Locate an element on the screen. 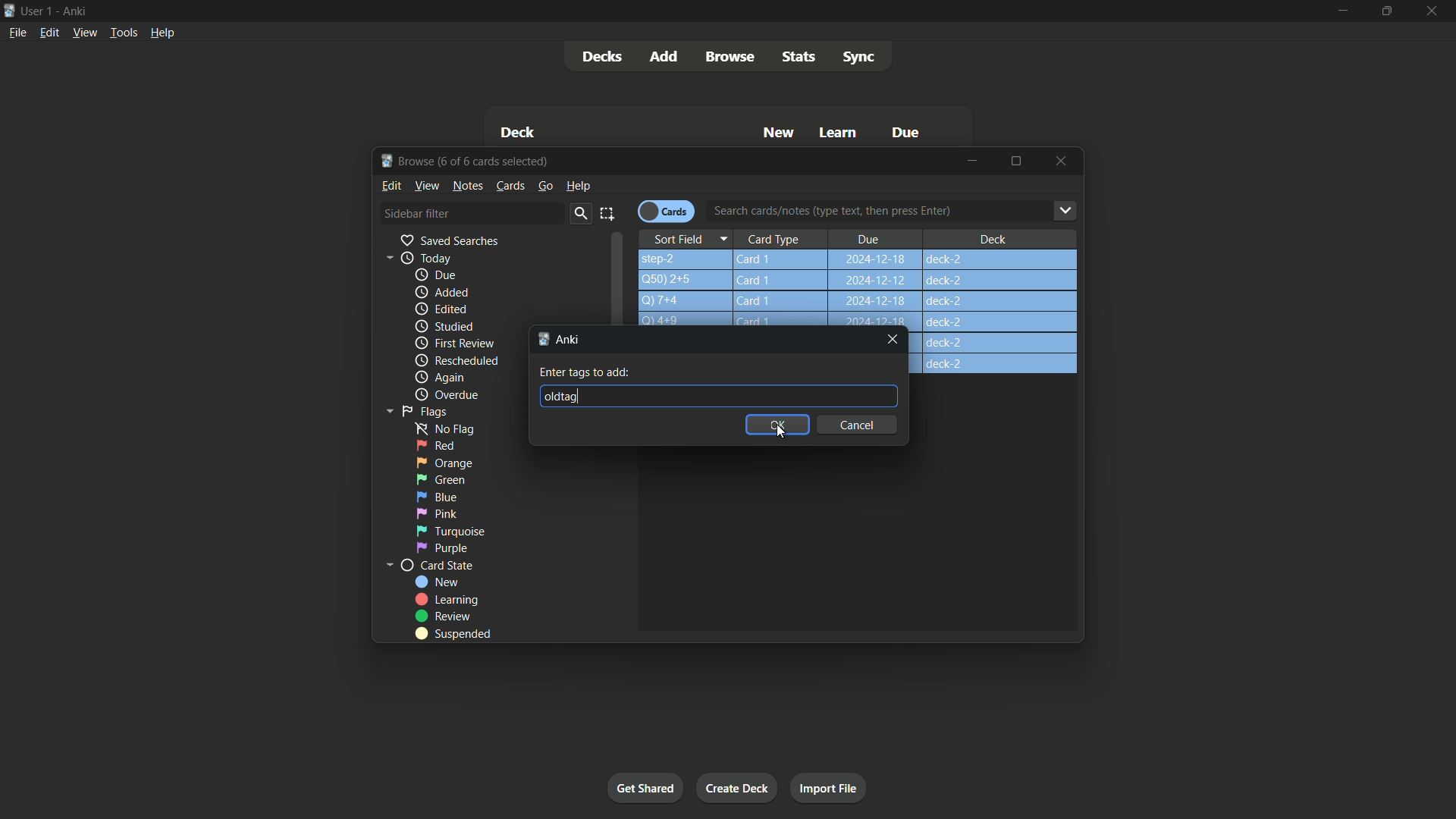 The width and height of the screenshot is (1456, 819). App icon is located at coordinates (9, 11).